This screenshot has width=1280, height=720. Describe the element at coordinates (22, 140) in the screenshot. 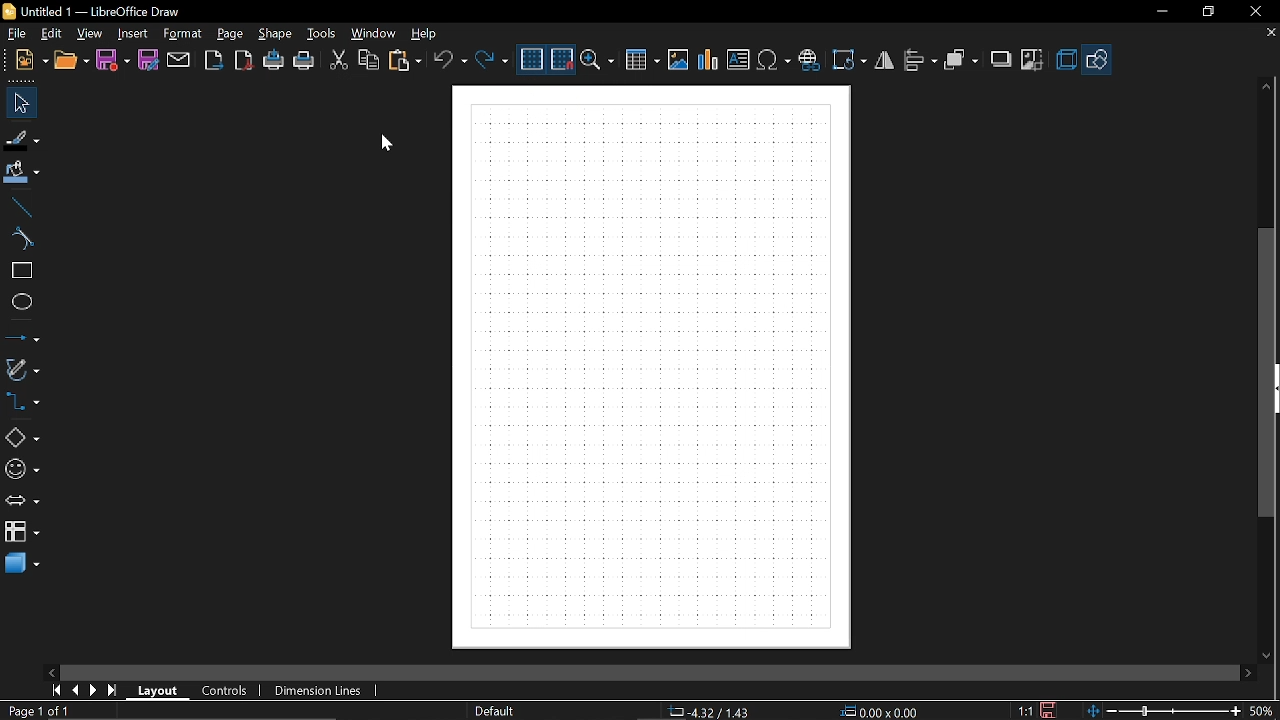

I see `fill line` at that location.